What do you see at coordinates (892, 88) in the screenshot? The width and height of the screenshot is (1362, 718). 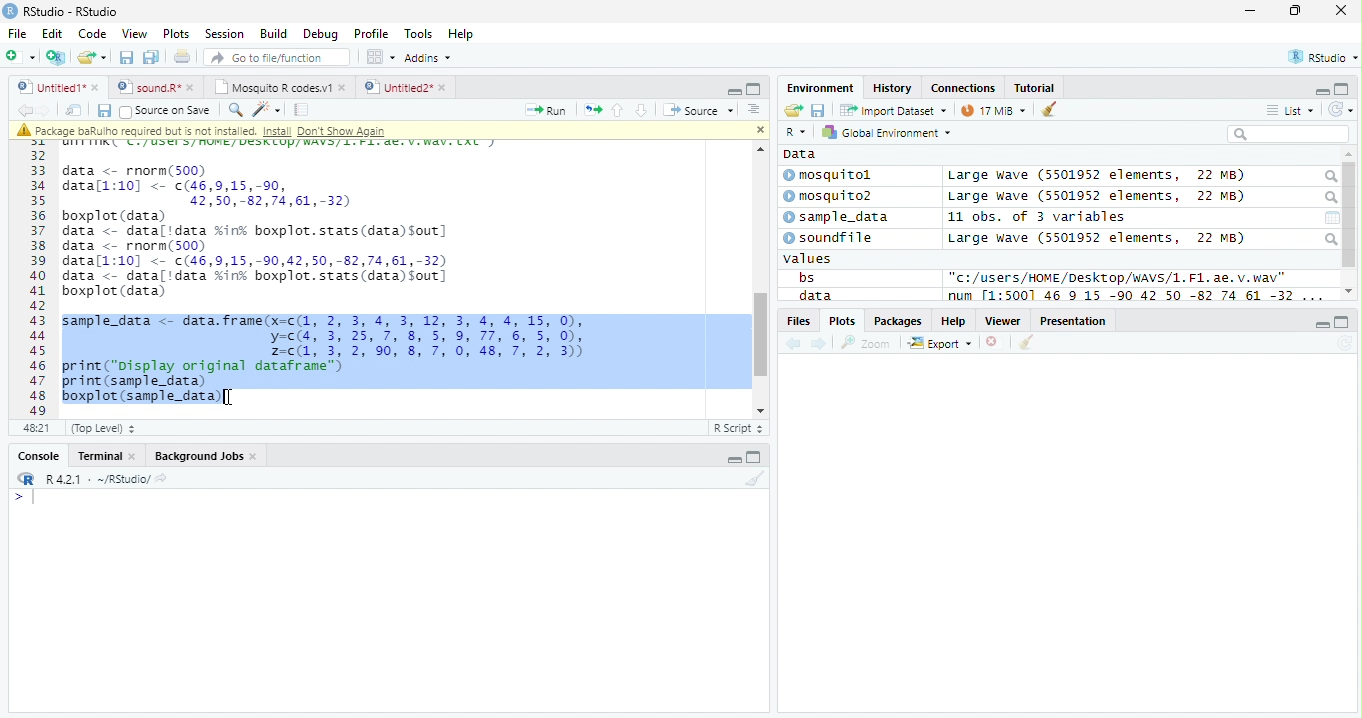 I see `History` at bounding box center [892, 88].